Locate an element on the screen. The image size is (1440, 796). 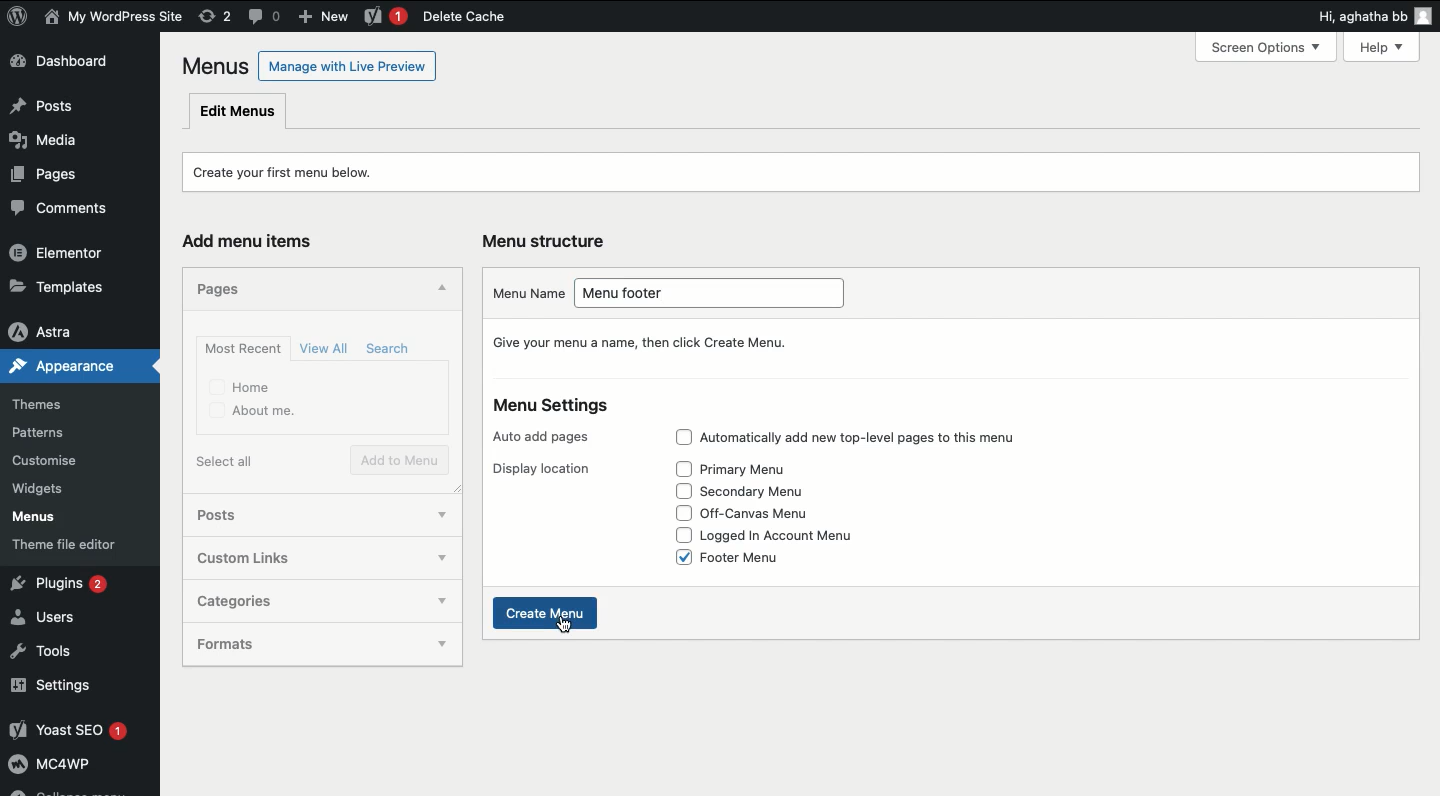
Secondary menu is located at coordinates (767, 491).